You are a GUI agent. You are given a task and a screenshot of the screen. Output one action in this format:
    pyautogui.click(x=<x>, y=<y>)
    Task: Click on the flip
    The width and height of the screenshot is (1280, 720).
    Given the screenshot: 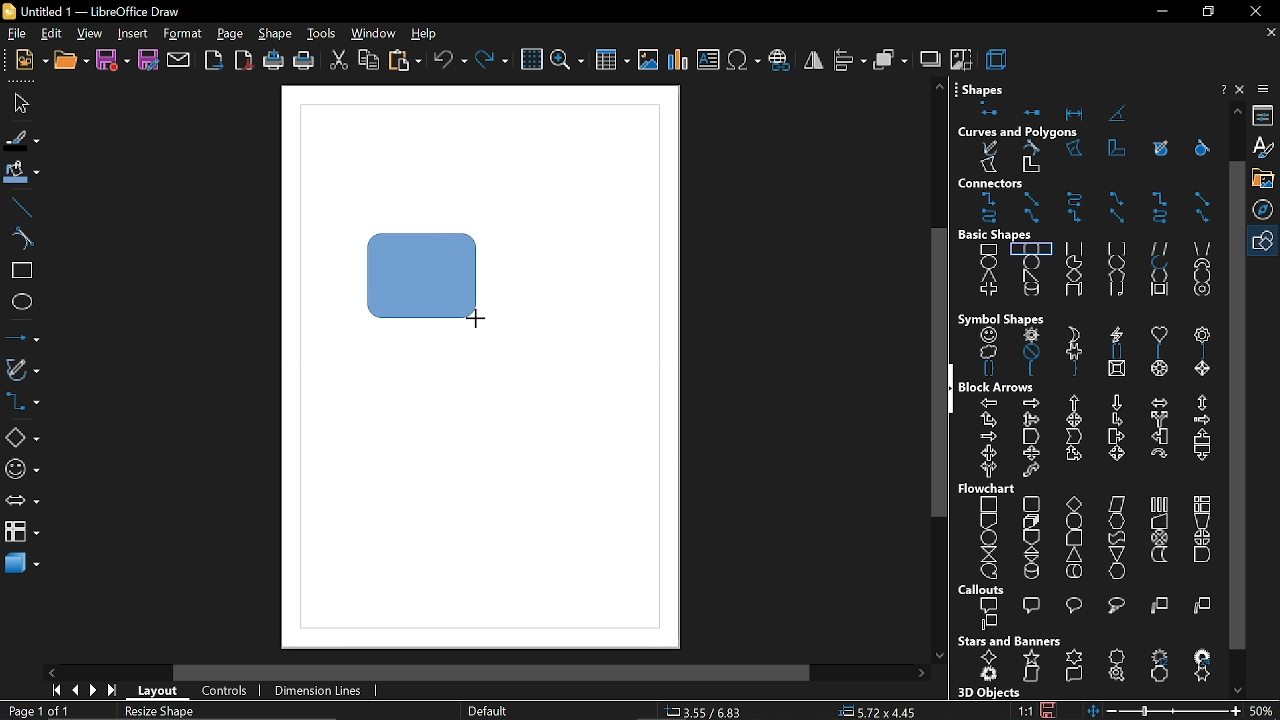 What is the action you would take?
    pyautogui.click(x=814, y=60)
    